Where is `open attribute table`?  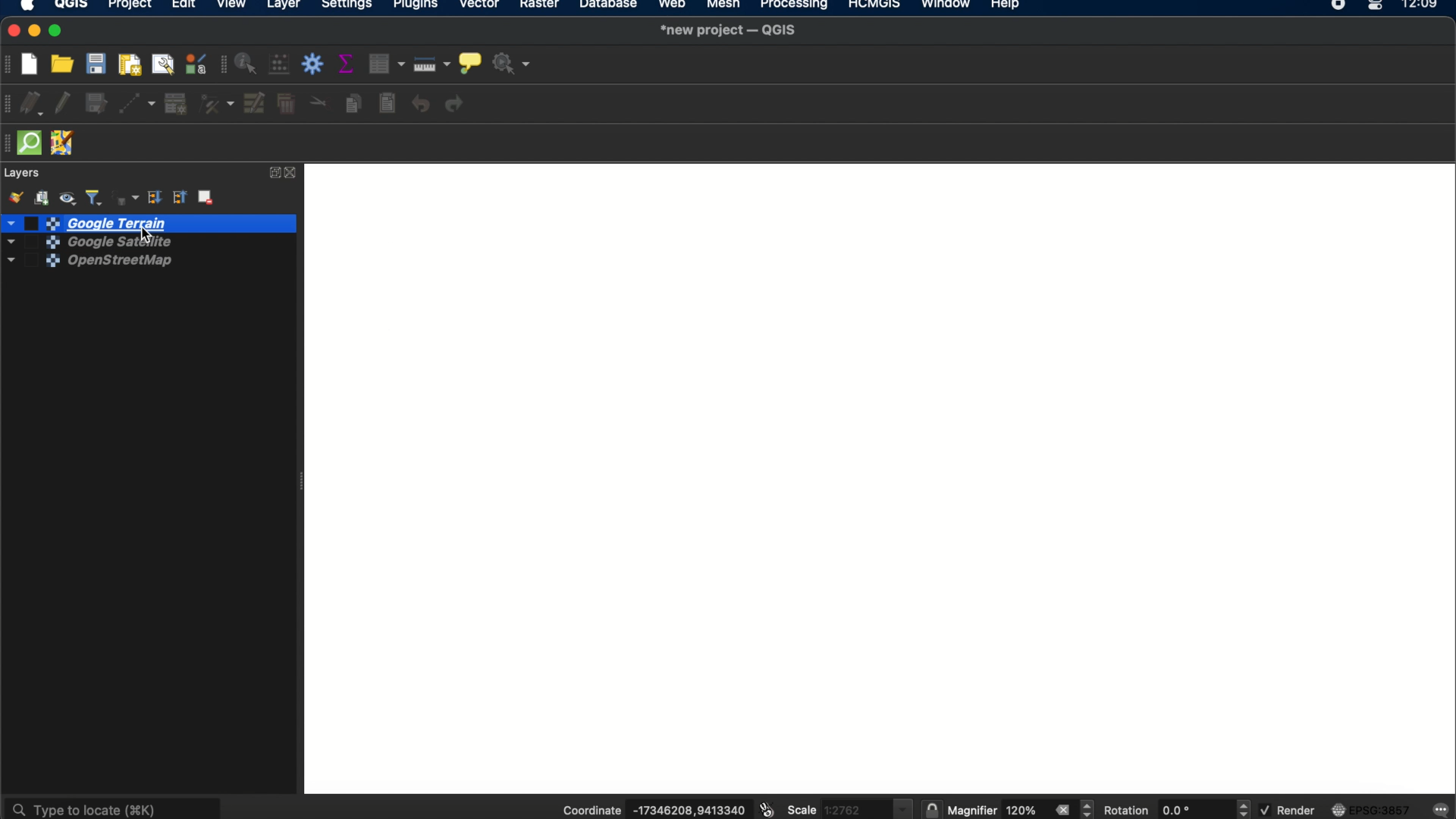
open attribute table is located at coordinates (389, 64).